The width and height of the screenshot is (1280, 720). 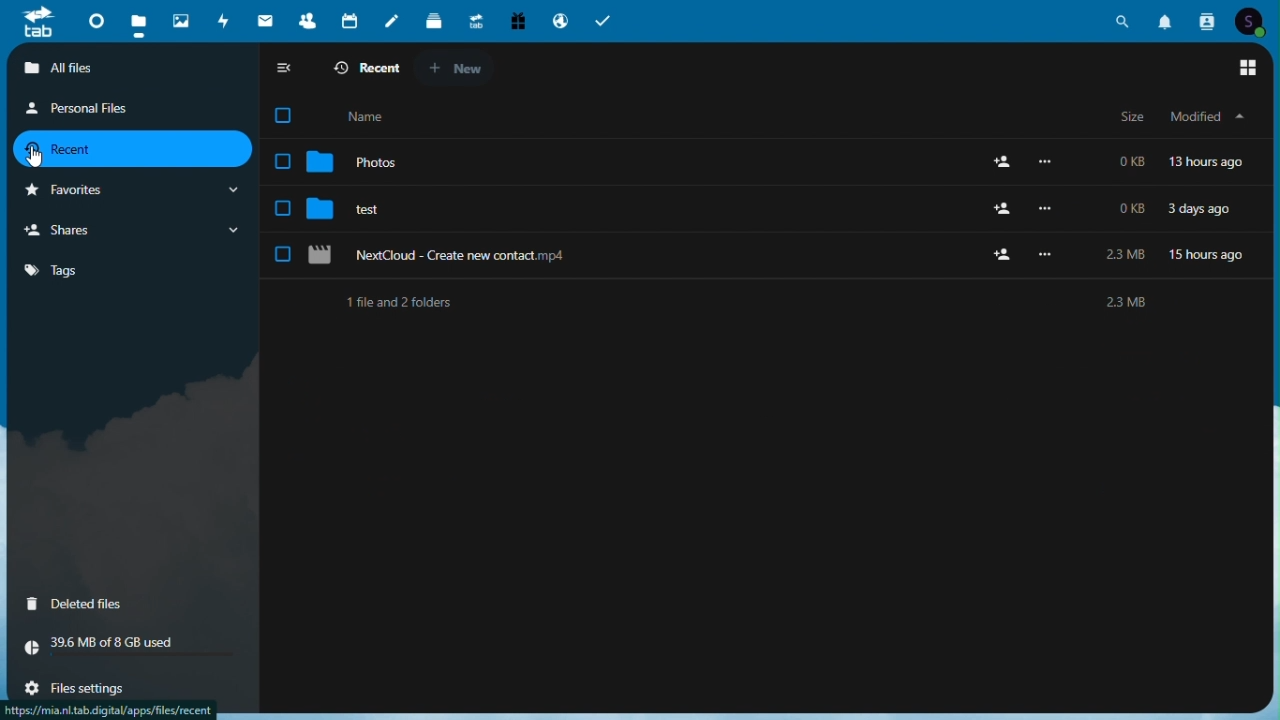 I want to click on checkbox, so click(x=286, y=115).